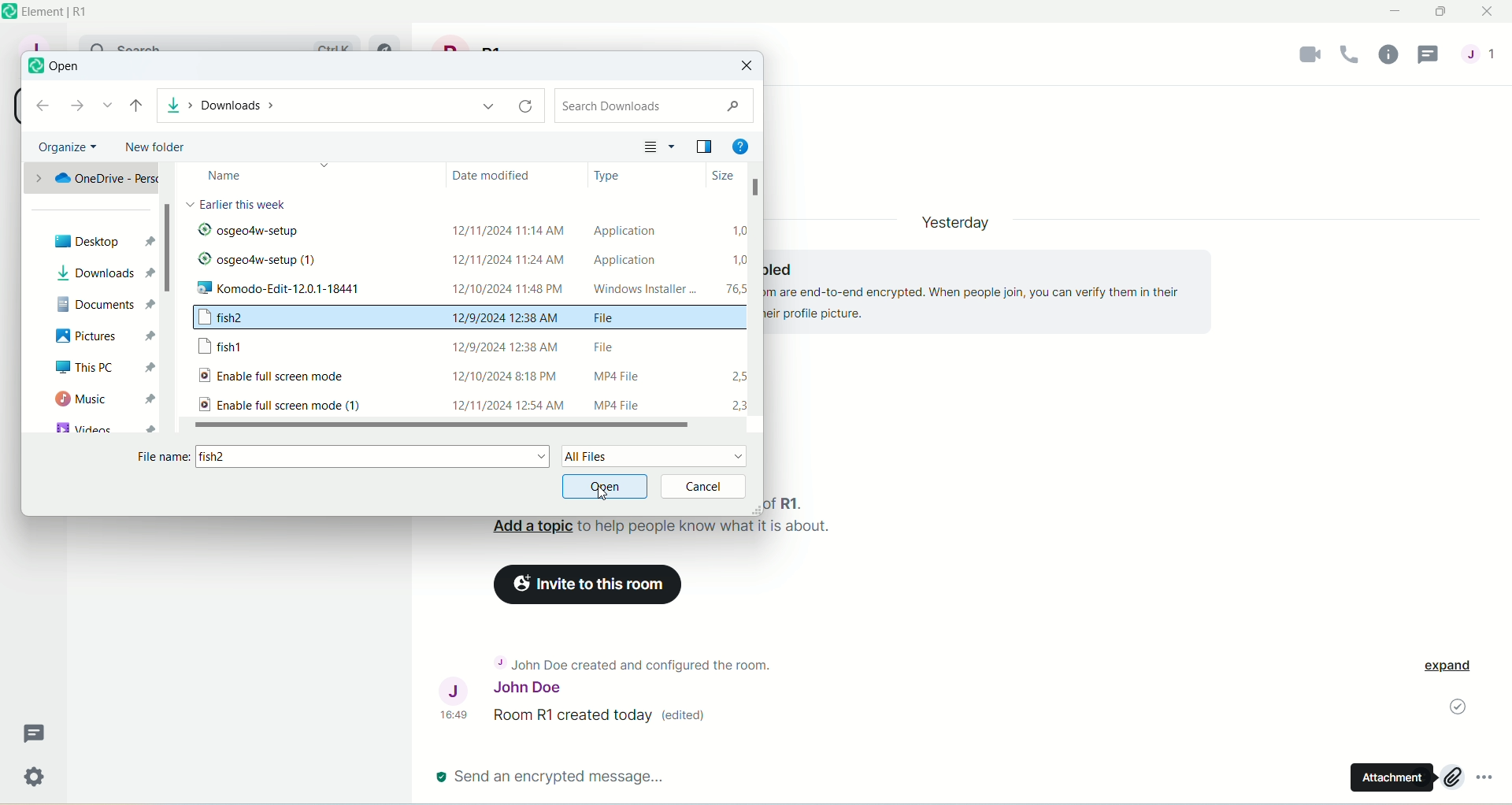  What do you see at coordinates (982, 287) in the screenshot?
I see `ed
1 are end-to-end encrypted. When people join, you can verify them in their
ir profile picture.` at bounding box center [982, 287].